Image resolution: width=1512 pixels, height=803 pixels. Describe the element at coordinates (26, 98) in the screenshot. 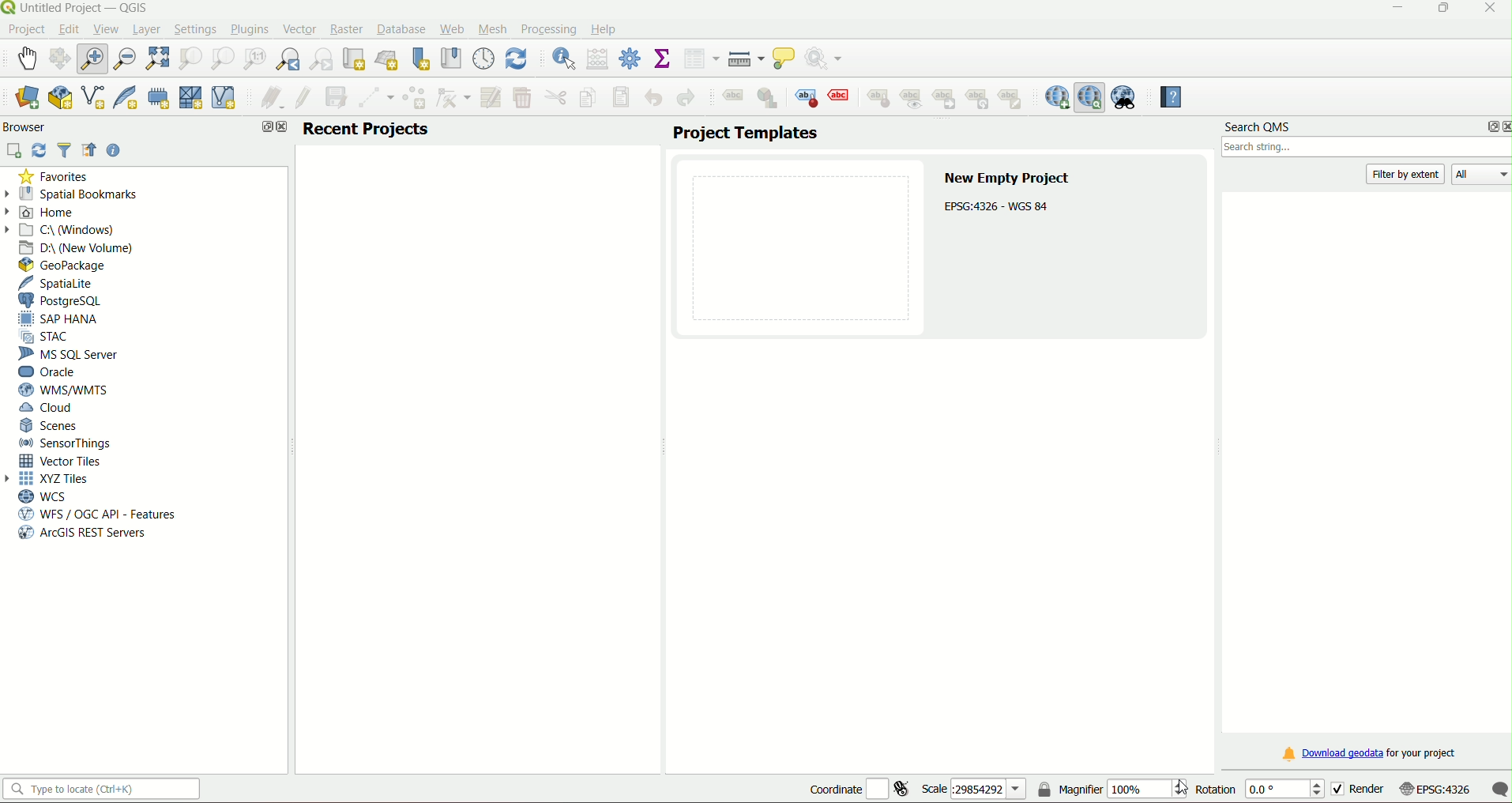

I see `open data source manager` at that location.